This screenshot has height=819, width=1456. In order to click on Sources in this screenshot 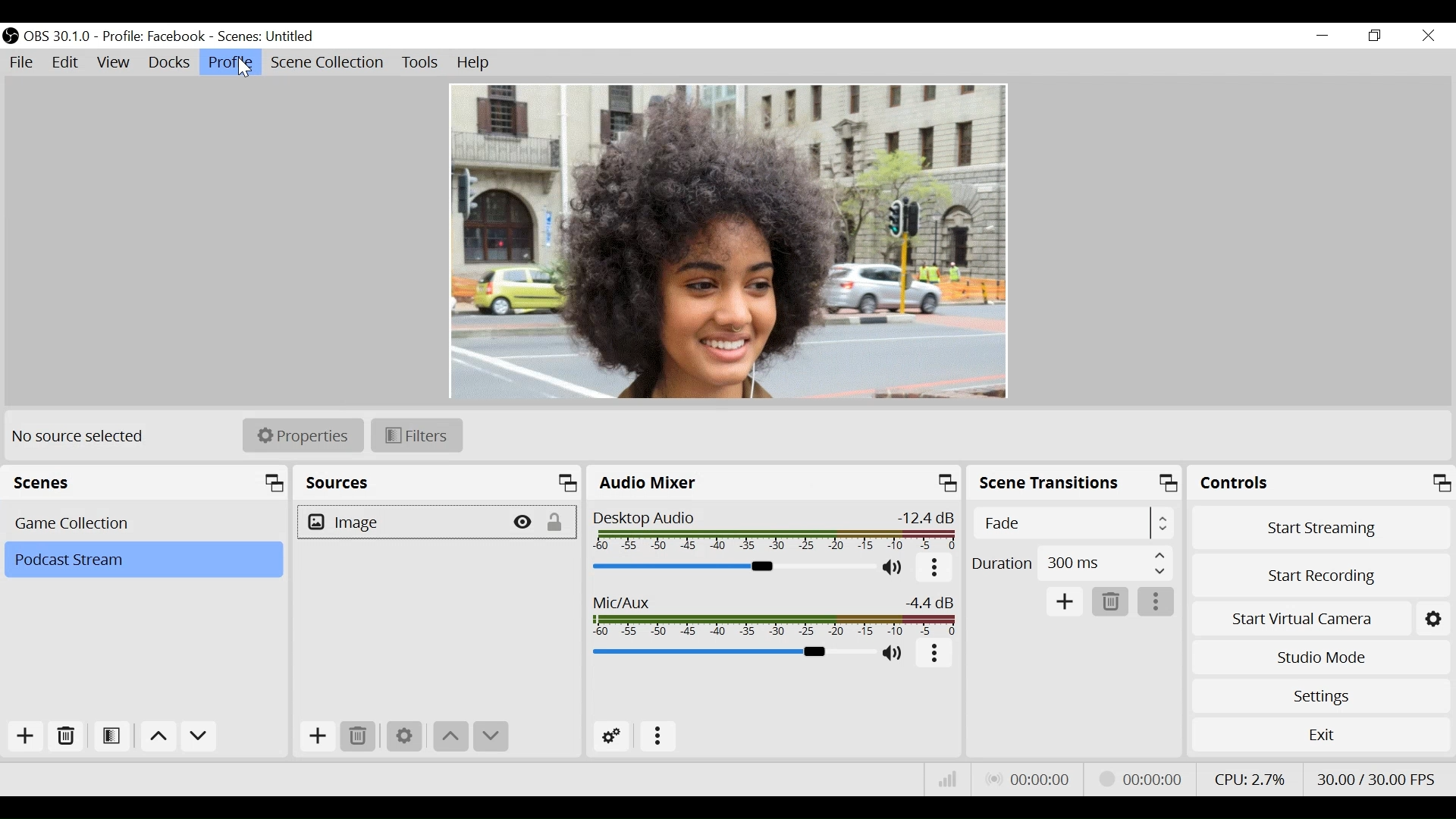, I will do `click(438, 482)`.